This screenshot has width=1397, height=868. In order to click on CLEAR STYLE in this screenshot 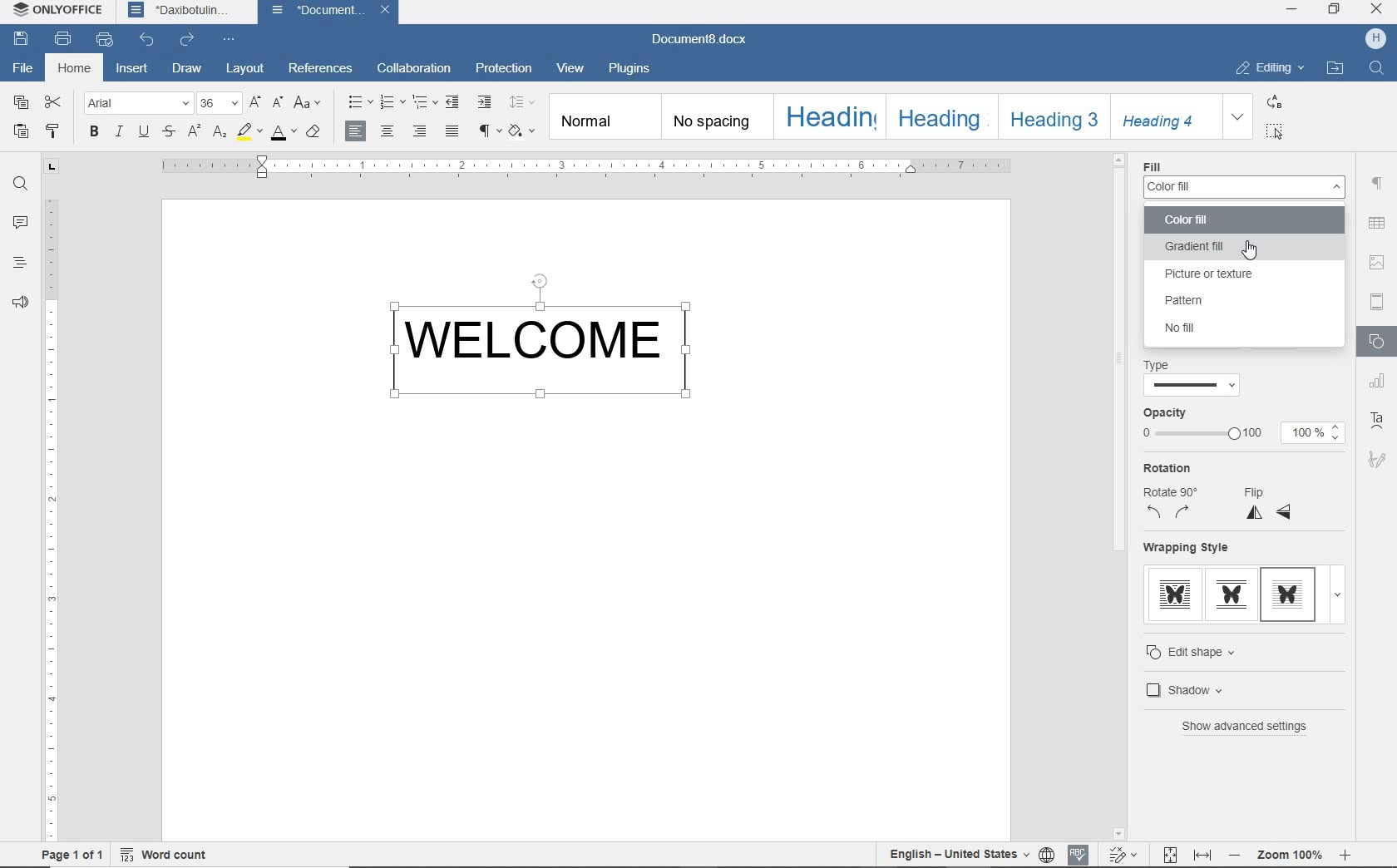, I will do `click(521, 131)`.